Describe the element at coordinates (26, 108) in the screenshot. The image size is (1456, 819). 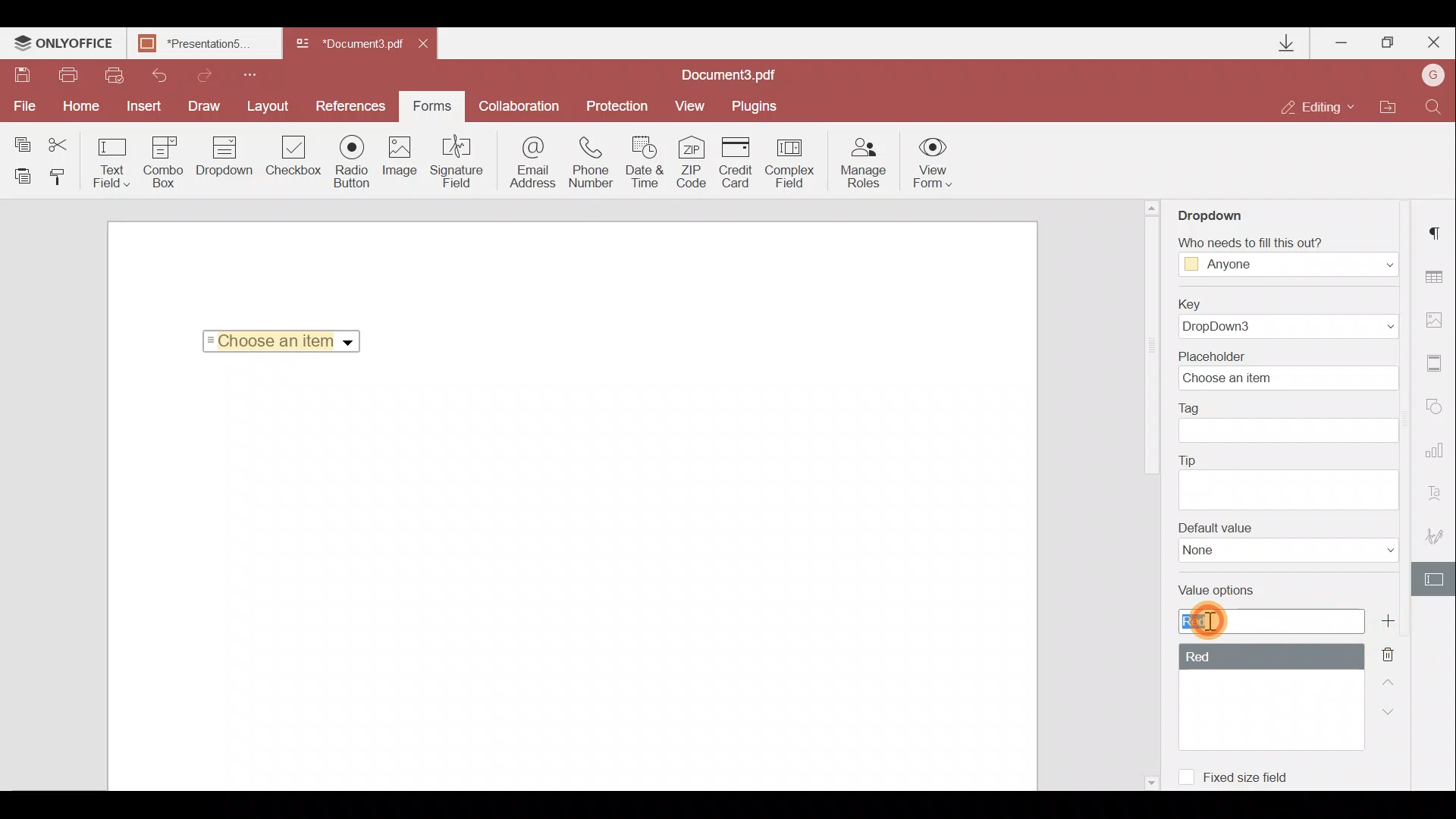
I see `File` at that location.